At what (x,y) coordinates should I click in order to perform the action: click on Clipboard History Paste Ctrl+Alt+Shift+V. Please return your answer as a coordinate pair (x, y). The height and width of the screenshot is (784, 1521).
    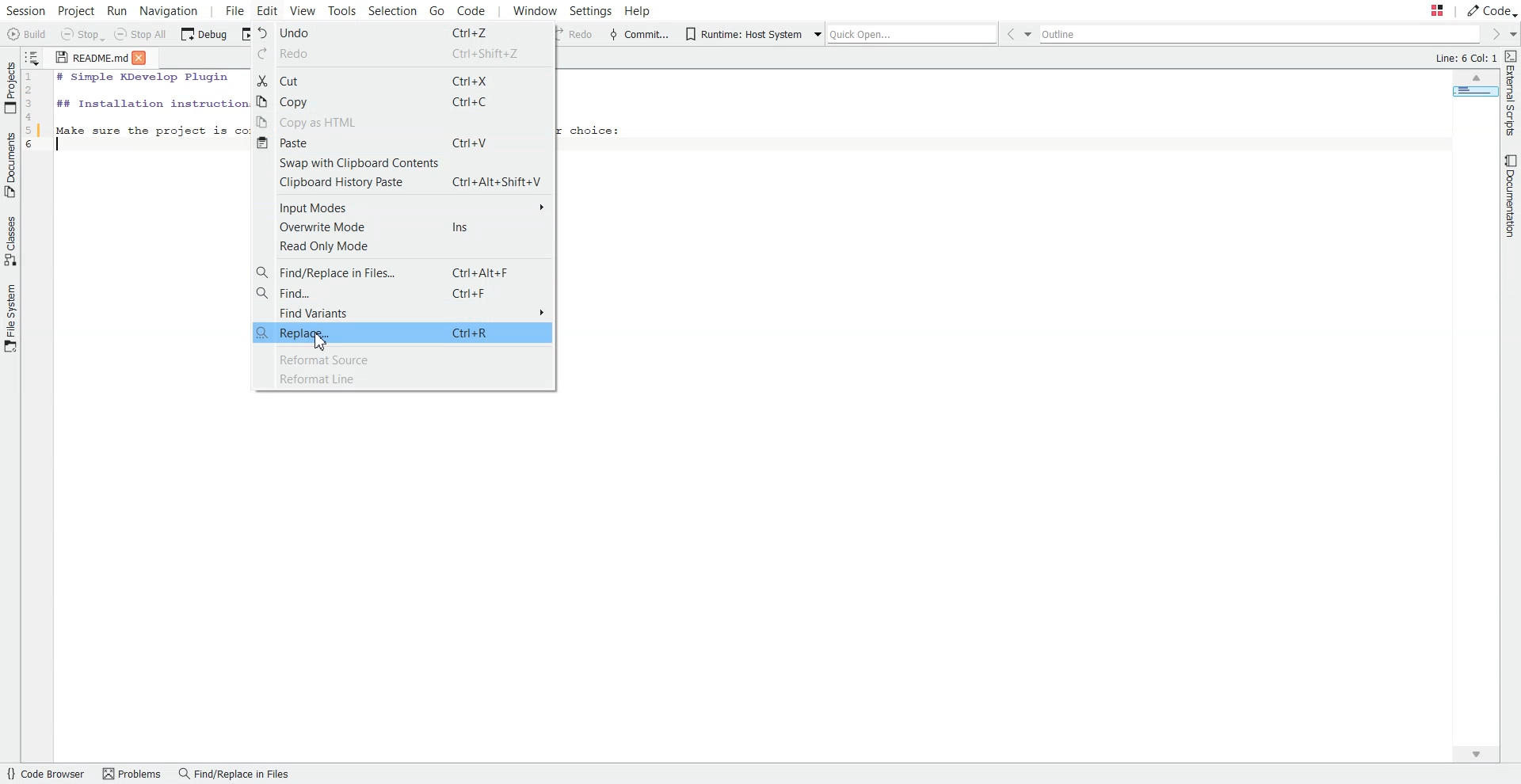
    Looking at the image, I should click on (403, 181).